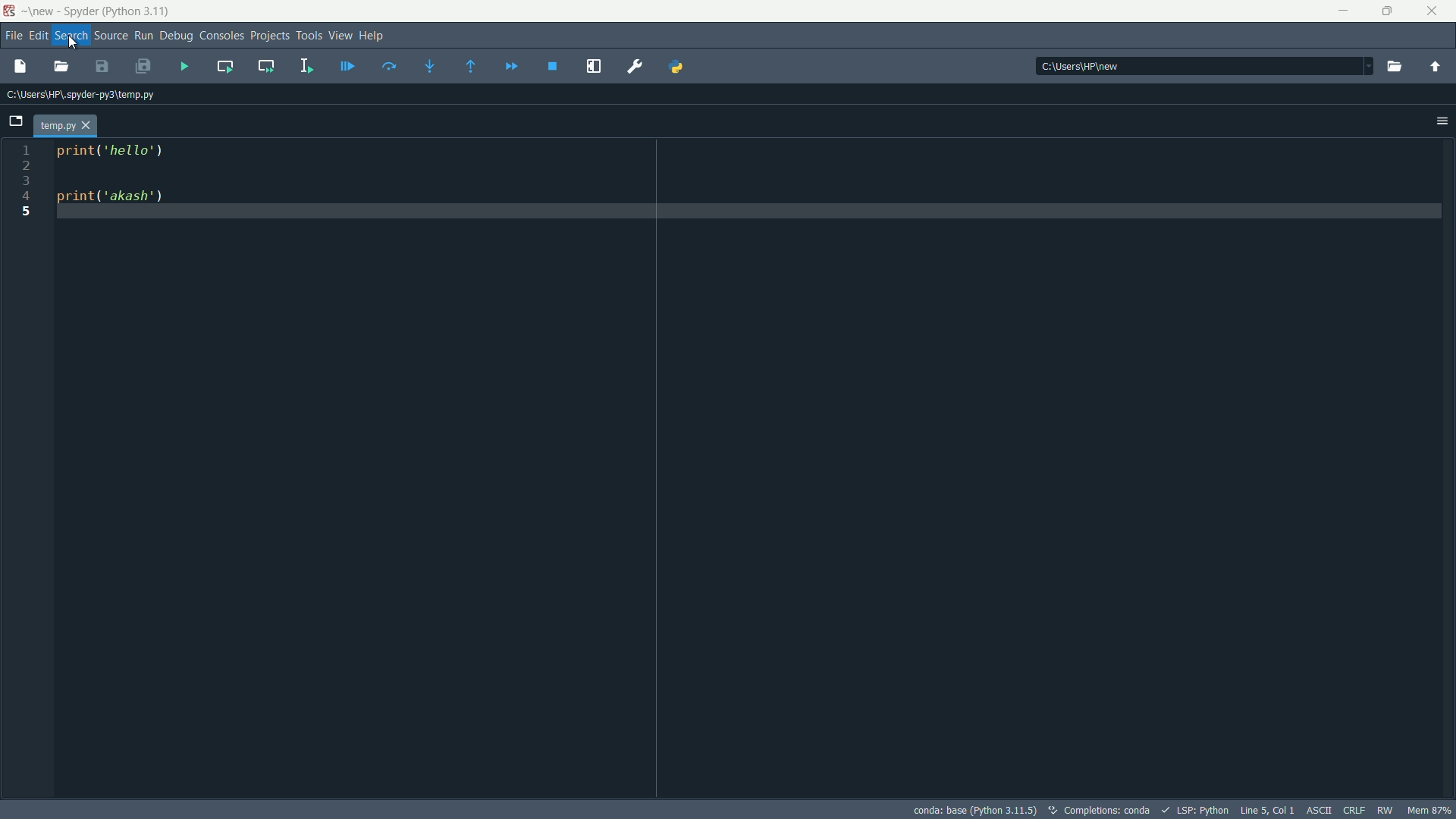 The image size is (1456, 819). I want to click on edit menu, so click(39, 35).